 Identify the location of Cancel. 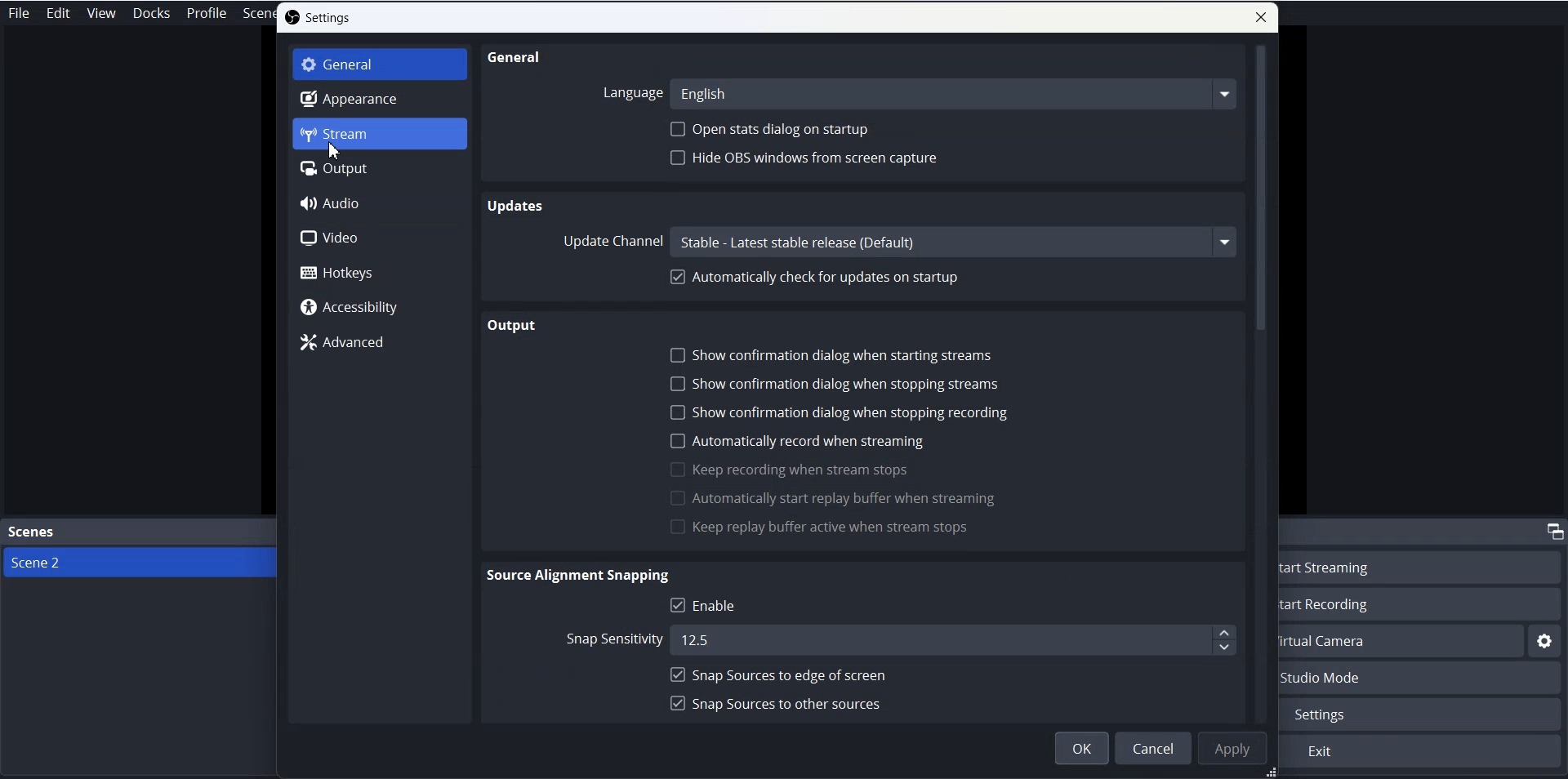
(1151, 749).